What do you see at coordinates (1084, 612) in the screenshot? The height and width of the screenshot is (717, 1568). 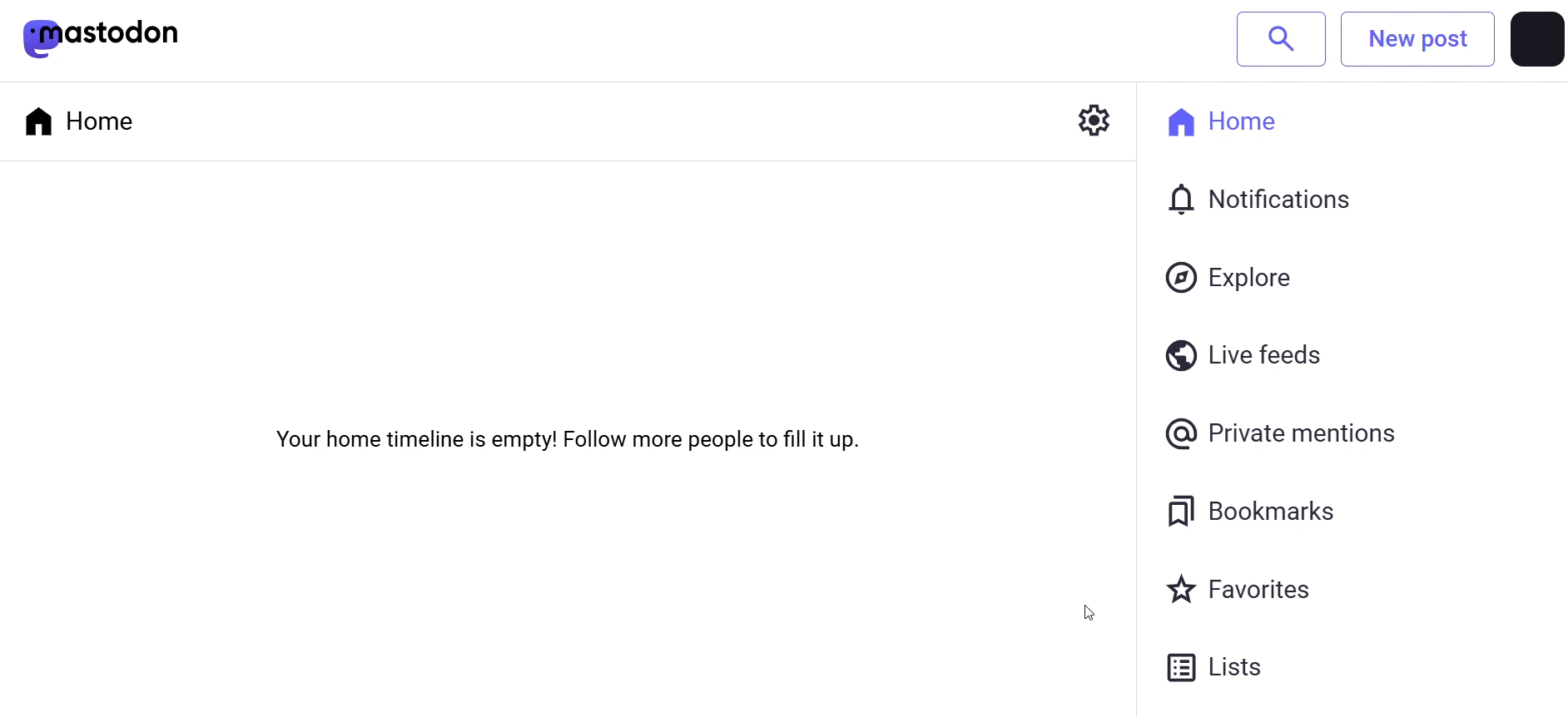 I see `cursor` at bounding box center [1084, 612].